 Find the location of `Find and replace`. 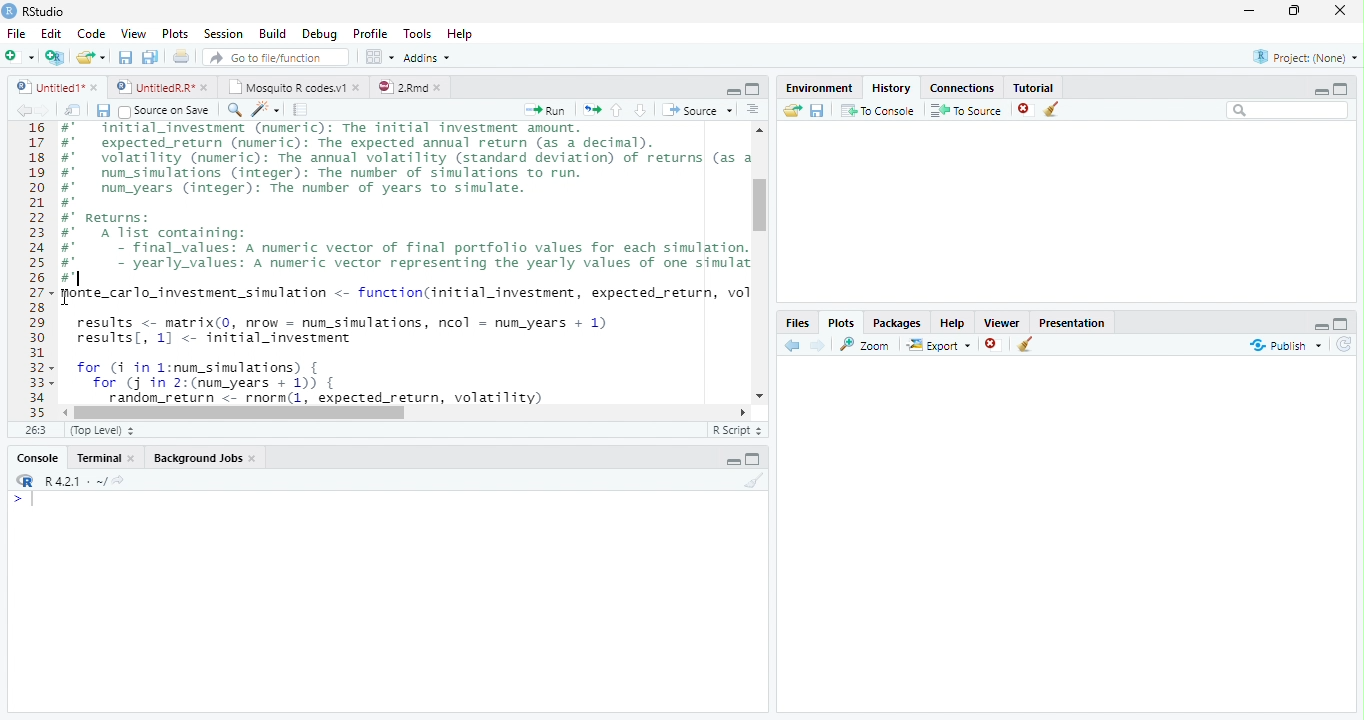

Find and replace is located at coordinates (235, 110).